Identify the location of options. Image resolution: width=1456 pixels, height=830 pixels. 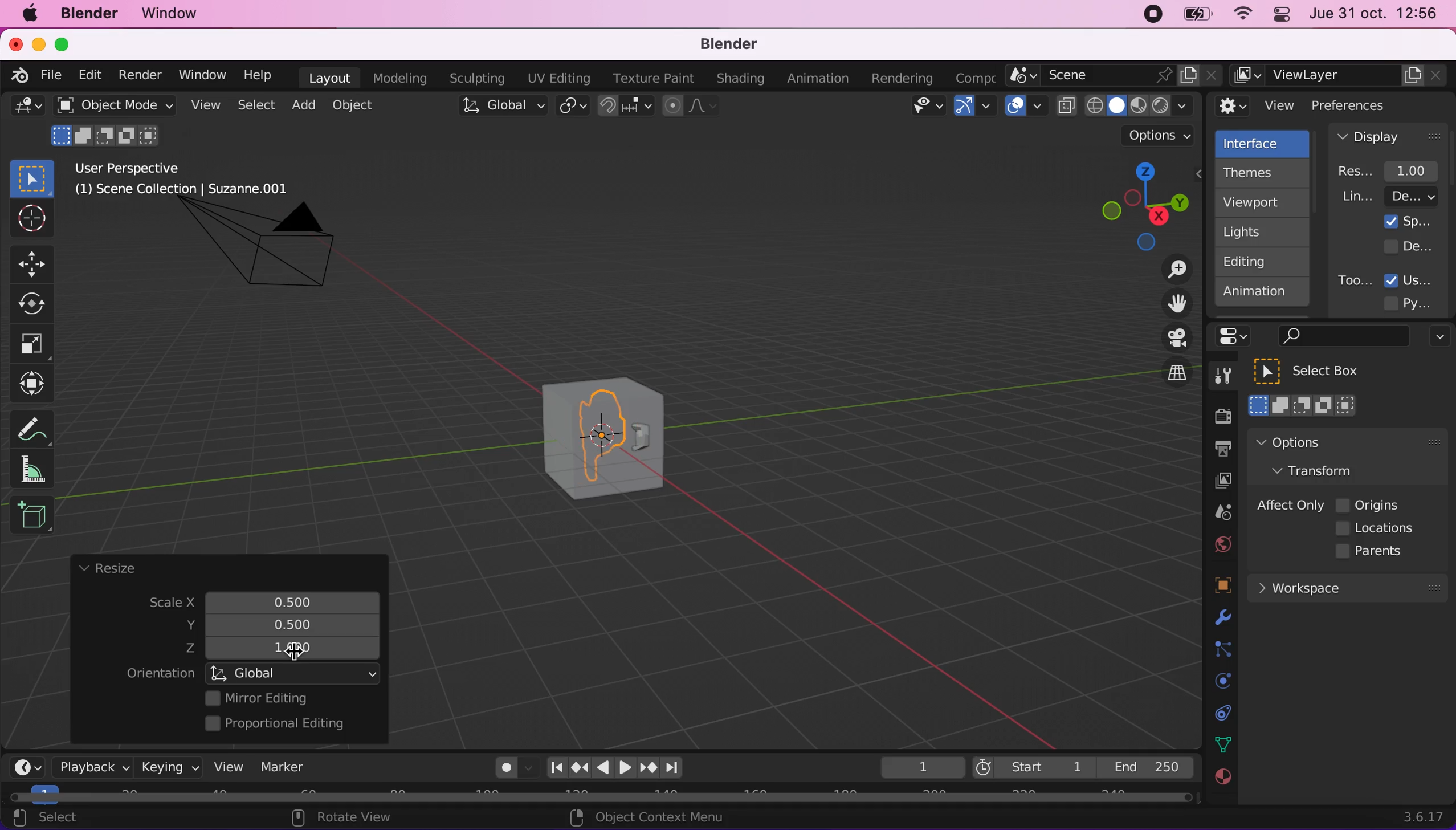
(1160, 136).